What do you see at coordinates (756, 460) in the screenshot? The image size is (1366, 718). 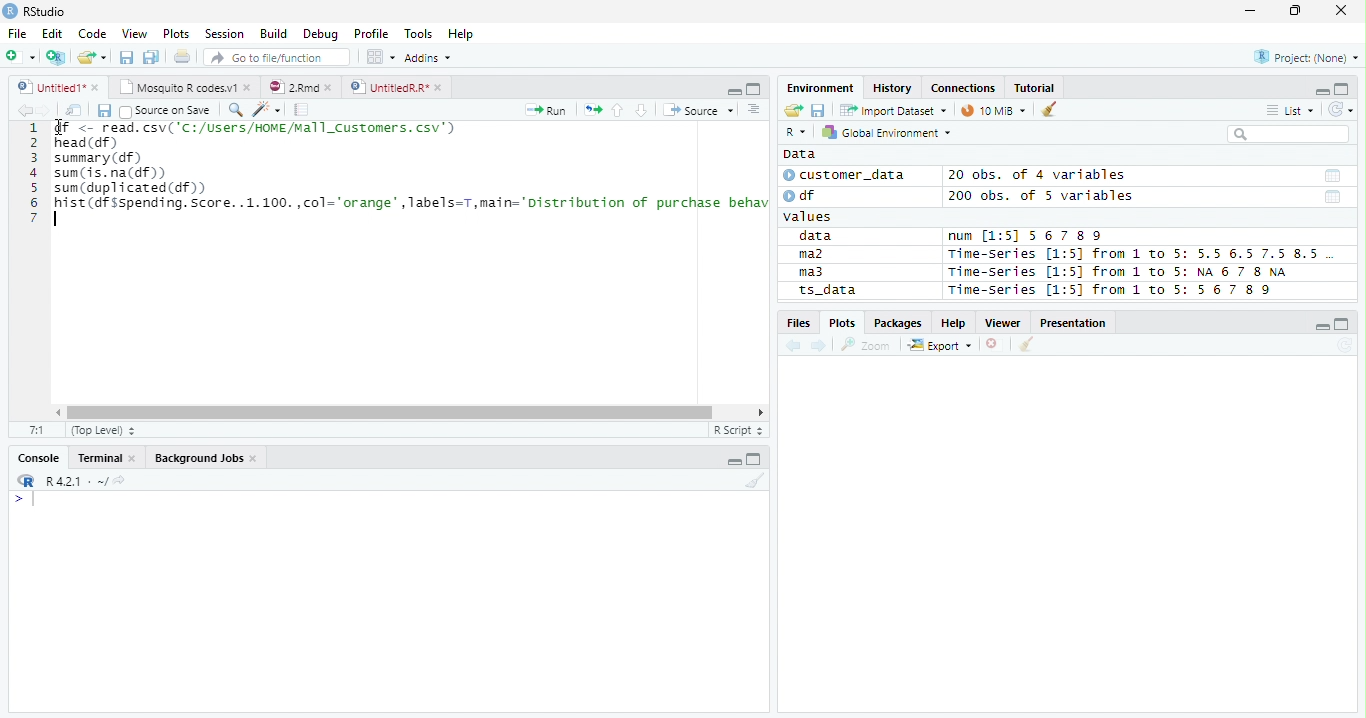 I see `Maximize` at bounding box center [756, 460].